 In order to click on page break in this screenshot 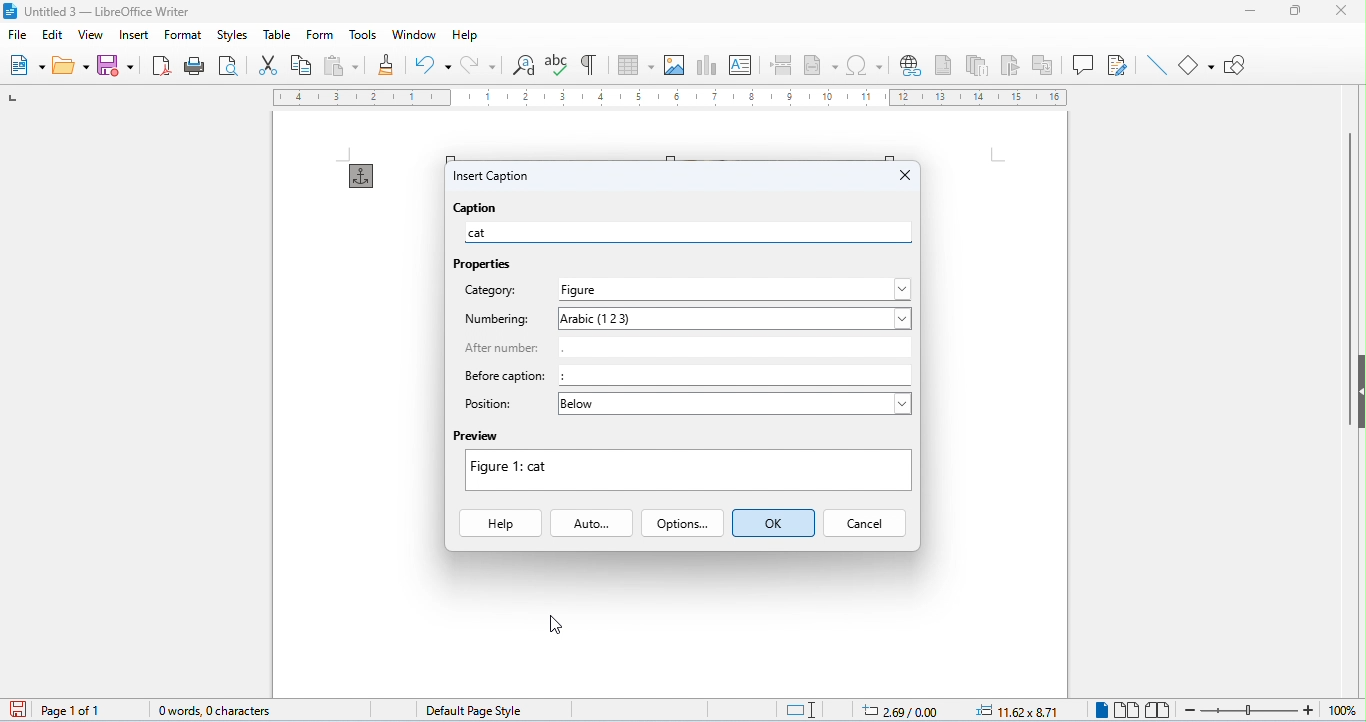, I will do `click(784, 65)`.